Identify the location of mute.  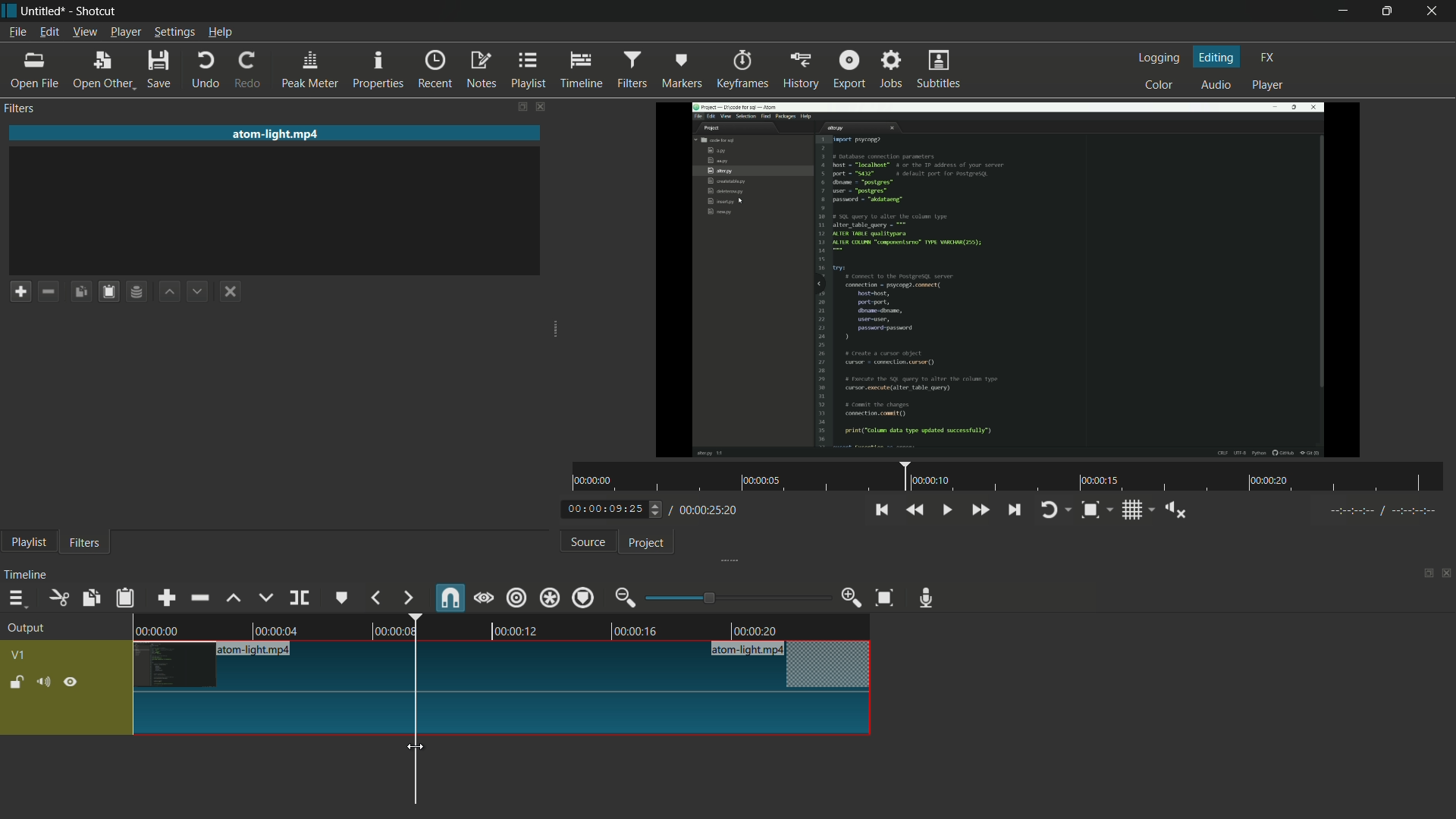
(42, 681).